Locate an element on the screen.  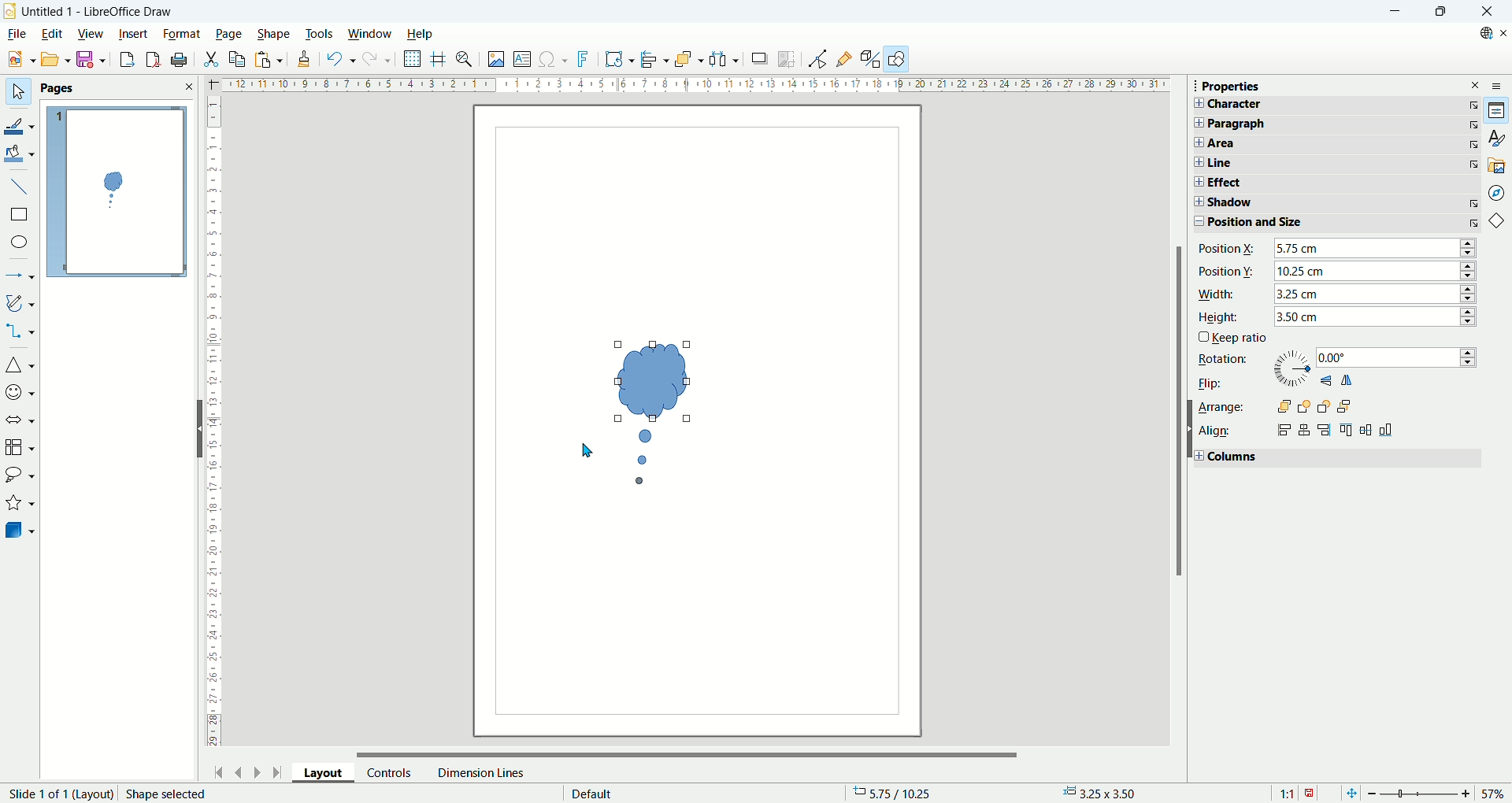
save is located at coordinates (91, 60).